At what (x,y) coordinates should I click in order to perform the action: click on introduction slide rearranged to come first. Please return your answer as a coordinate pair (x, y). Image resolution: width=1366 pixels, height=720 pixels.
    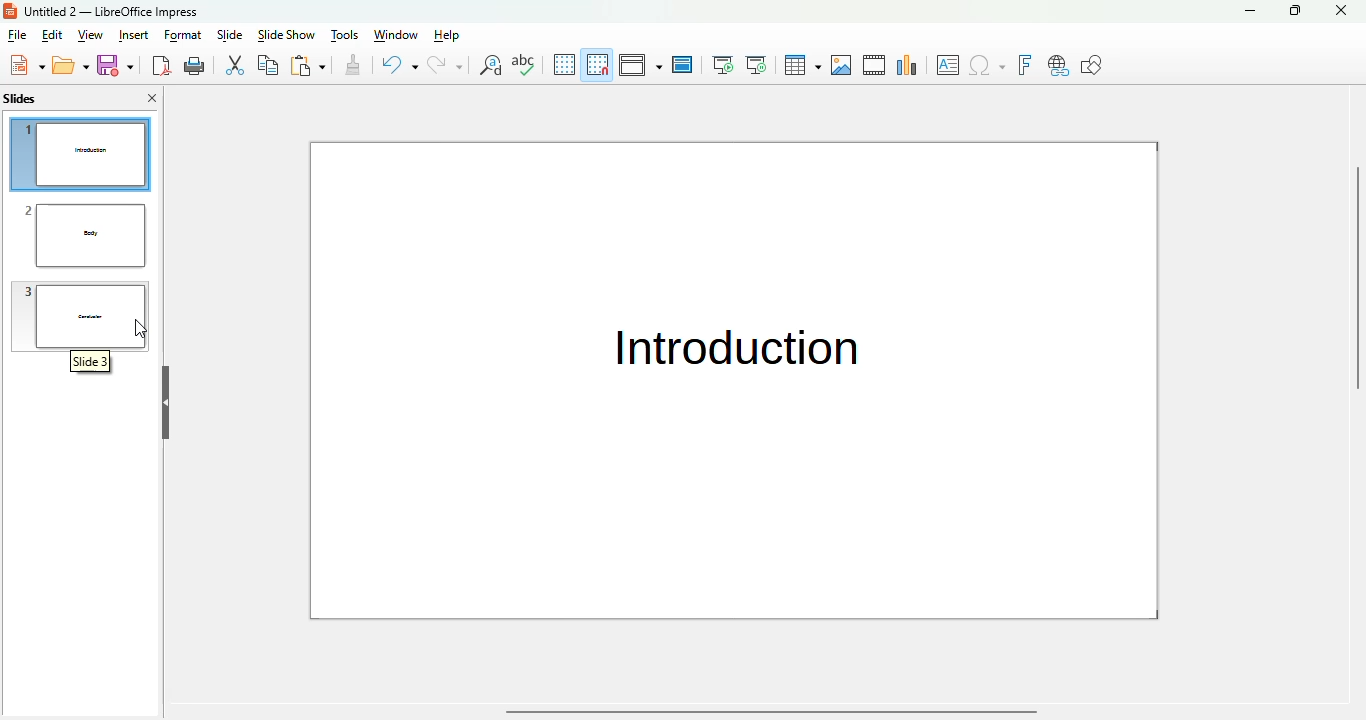
    Looking at the image, I should click on (82, 155).